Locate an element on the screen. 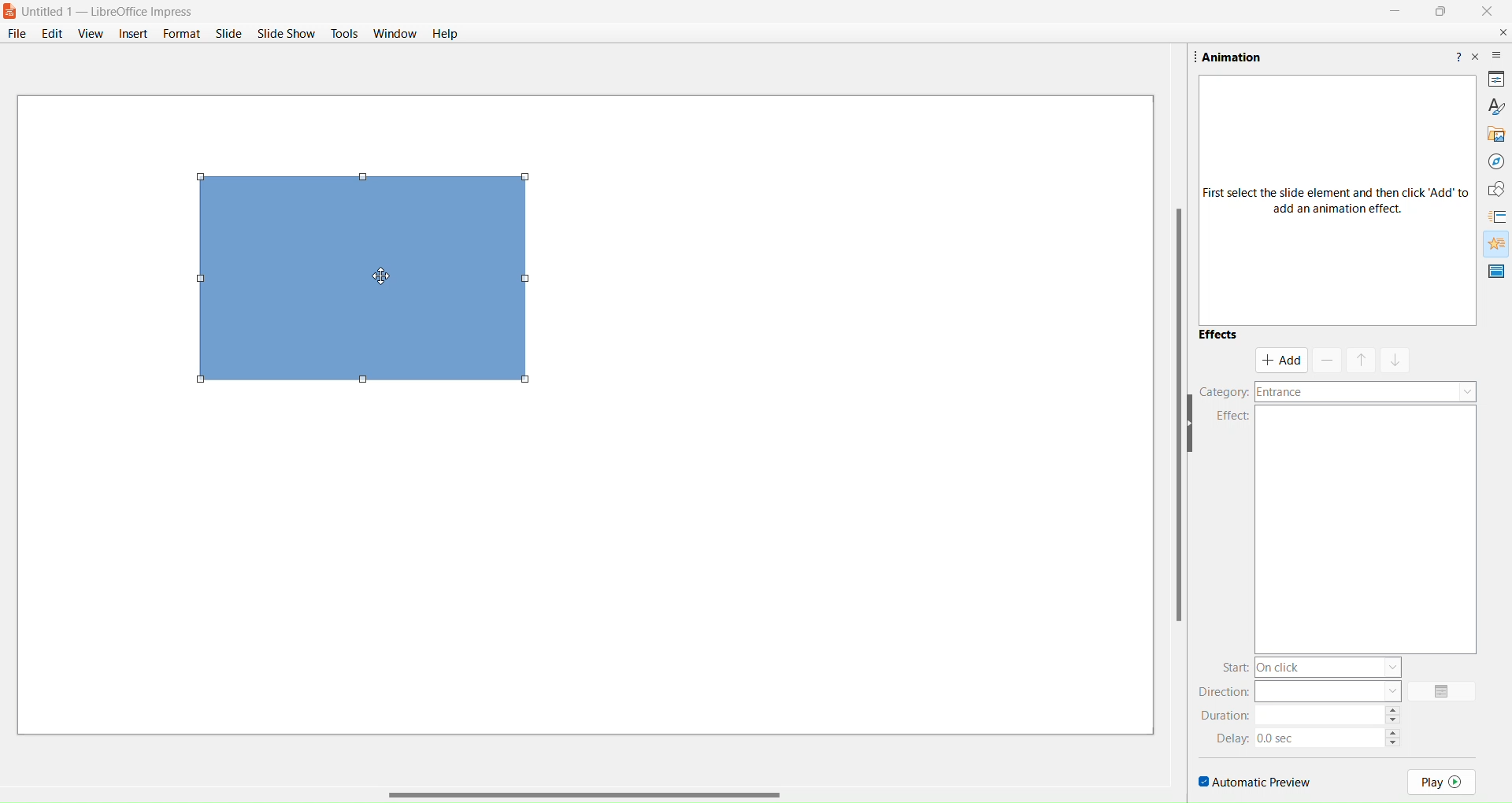 This screenshot has height=803, width=1512. mask down is located at coordinates (1395, 358).